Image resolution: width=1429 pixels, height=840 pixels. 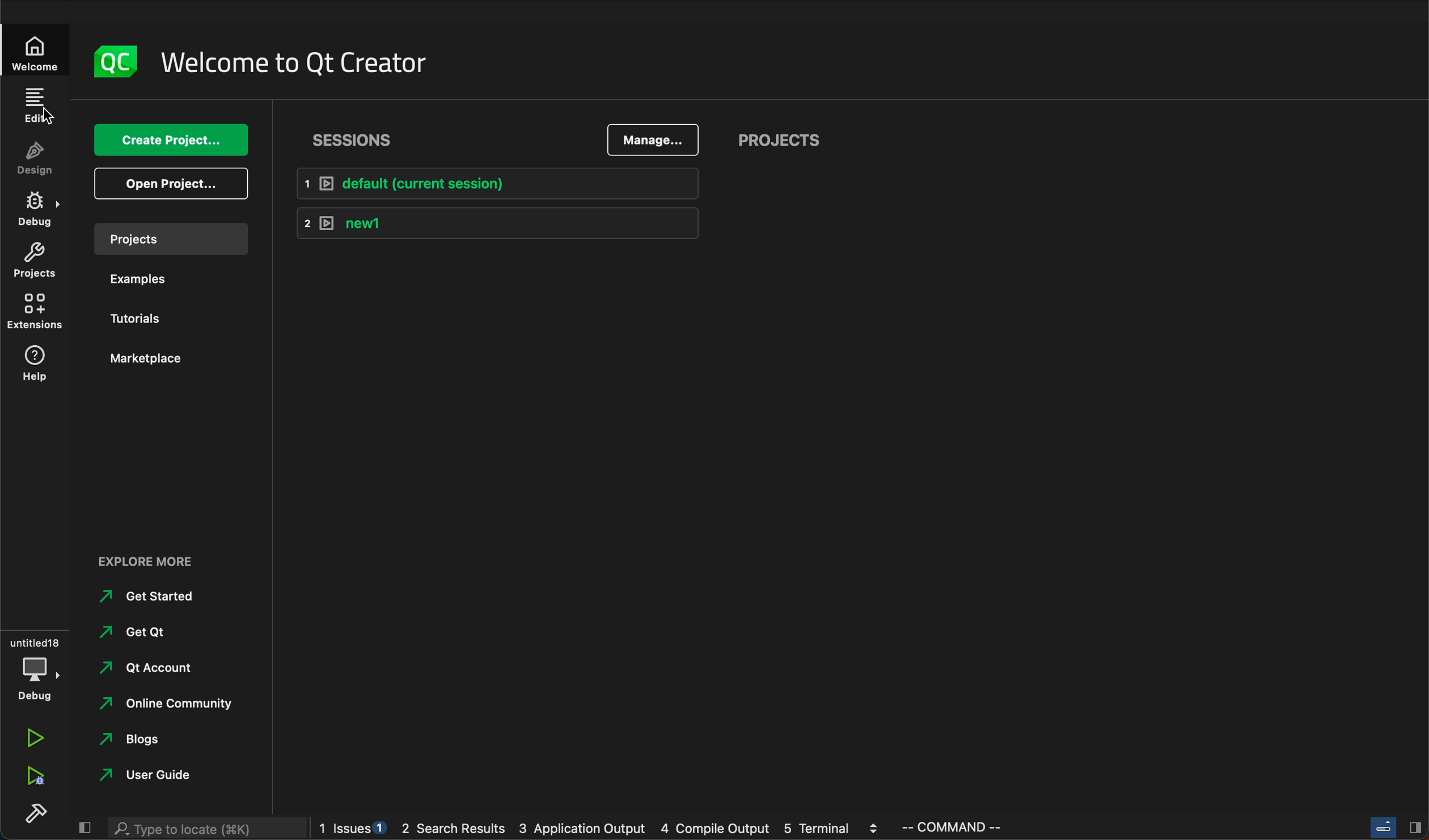 What do you see at coordinates (167, 776) in the screenshot?
I see `guide` at bounding box center [167, 776].